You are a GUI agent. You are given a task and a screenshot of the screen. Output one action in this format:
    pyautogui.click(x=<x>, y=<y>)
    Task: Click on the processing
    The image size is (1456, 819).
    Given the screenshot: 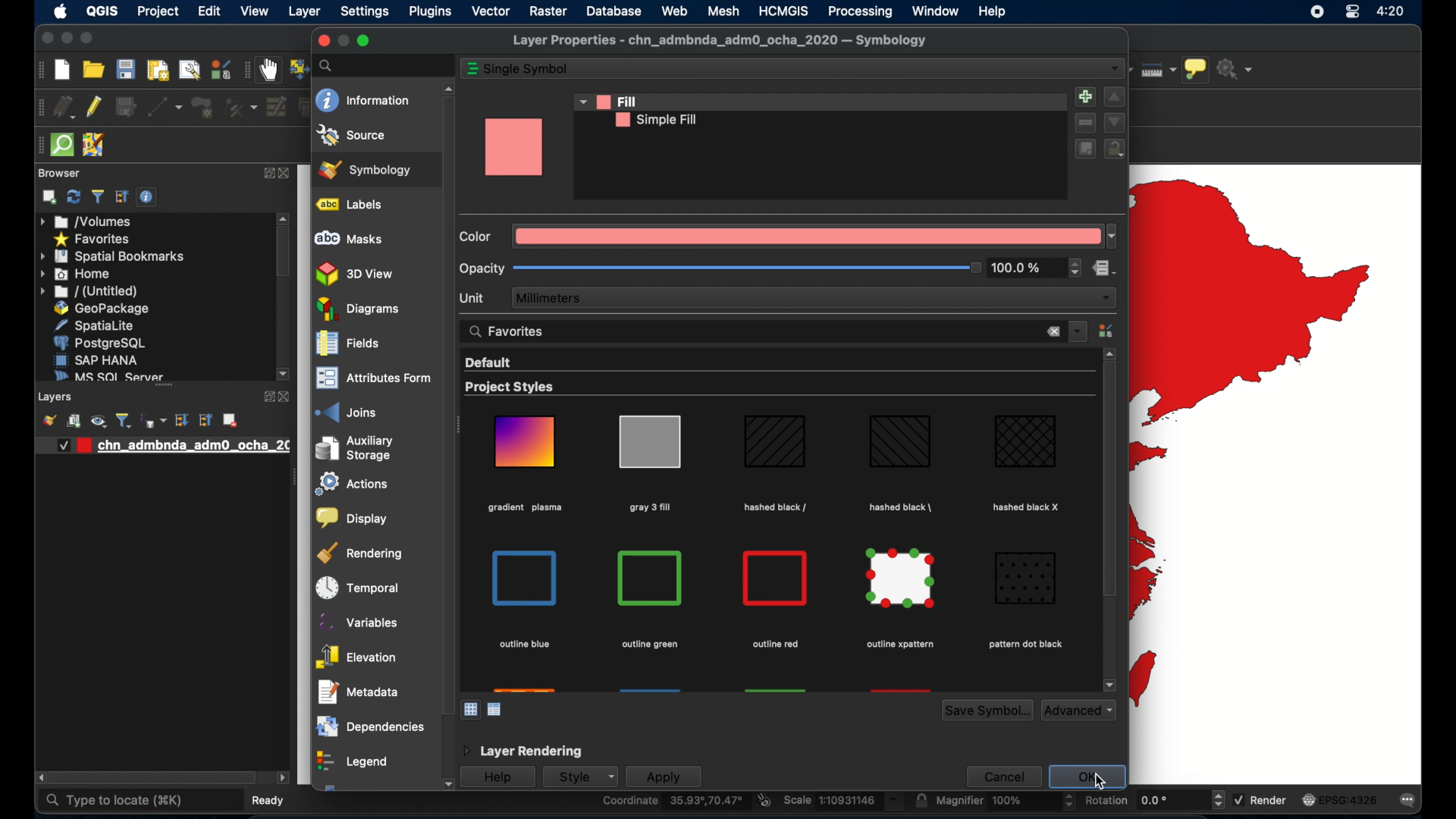 What is the action you would take?
    pyautogui.click(x=860, y=11)
    